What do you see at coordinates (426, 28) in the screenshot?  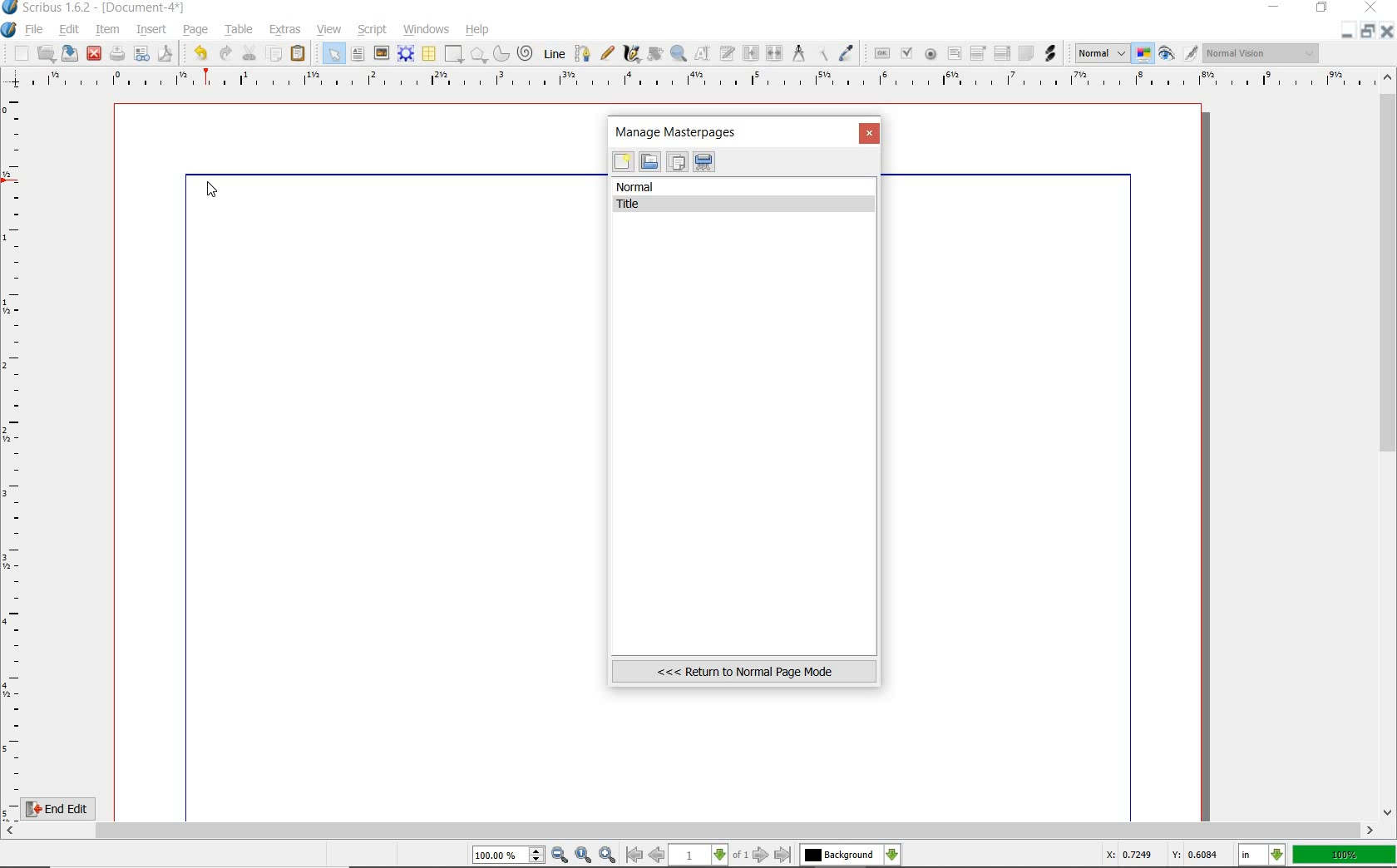 I see `windows` at bounding box center [426, 28].